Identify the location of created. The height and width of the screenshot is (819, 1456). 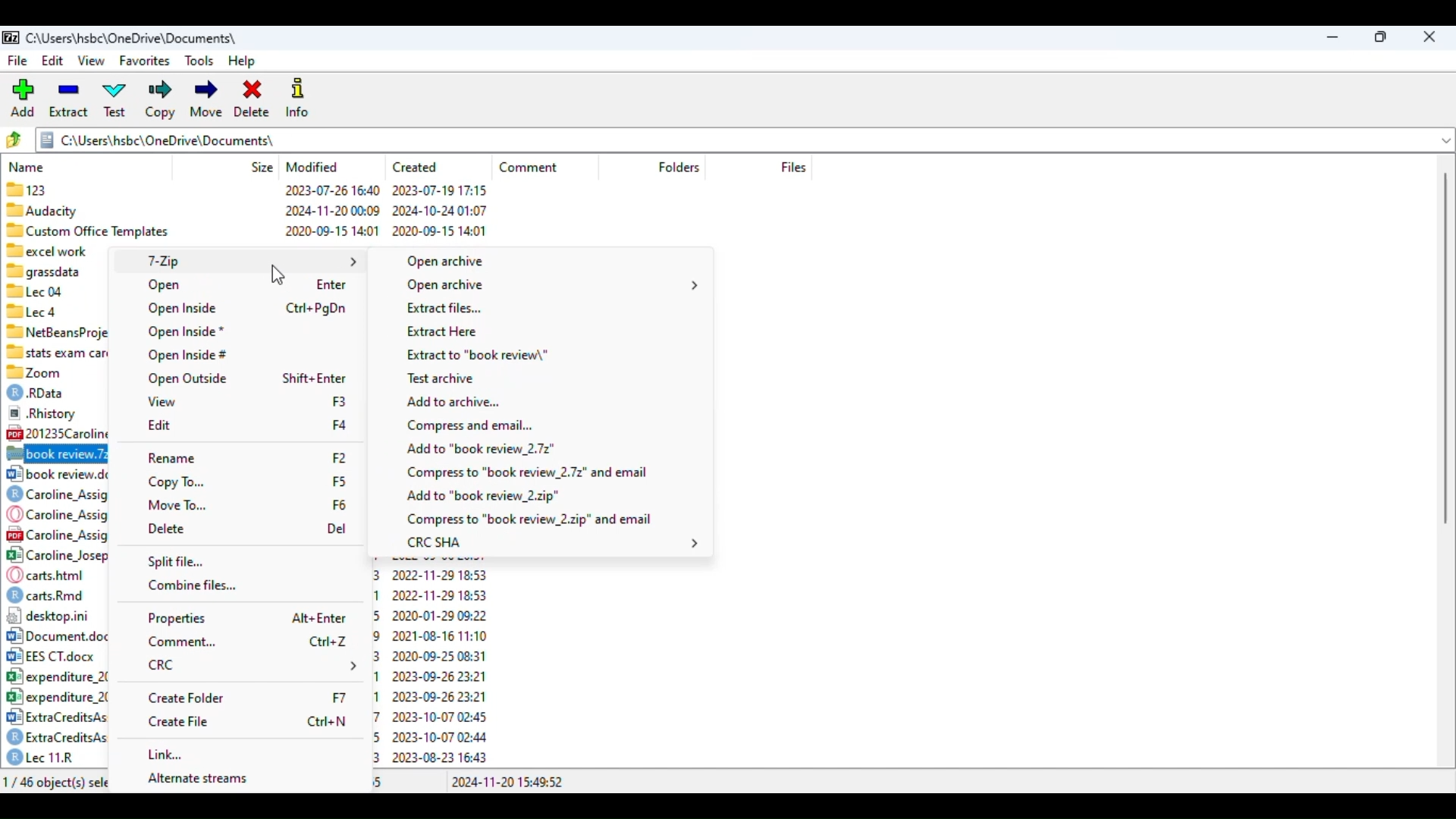
(416, 168).